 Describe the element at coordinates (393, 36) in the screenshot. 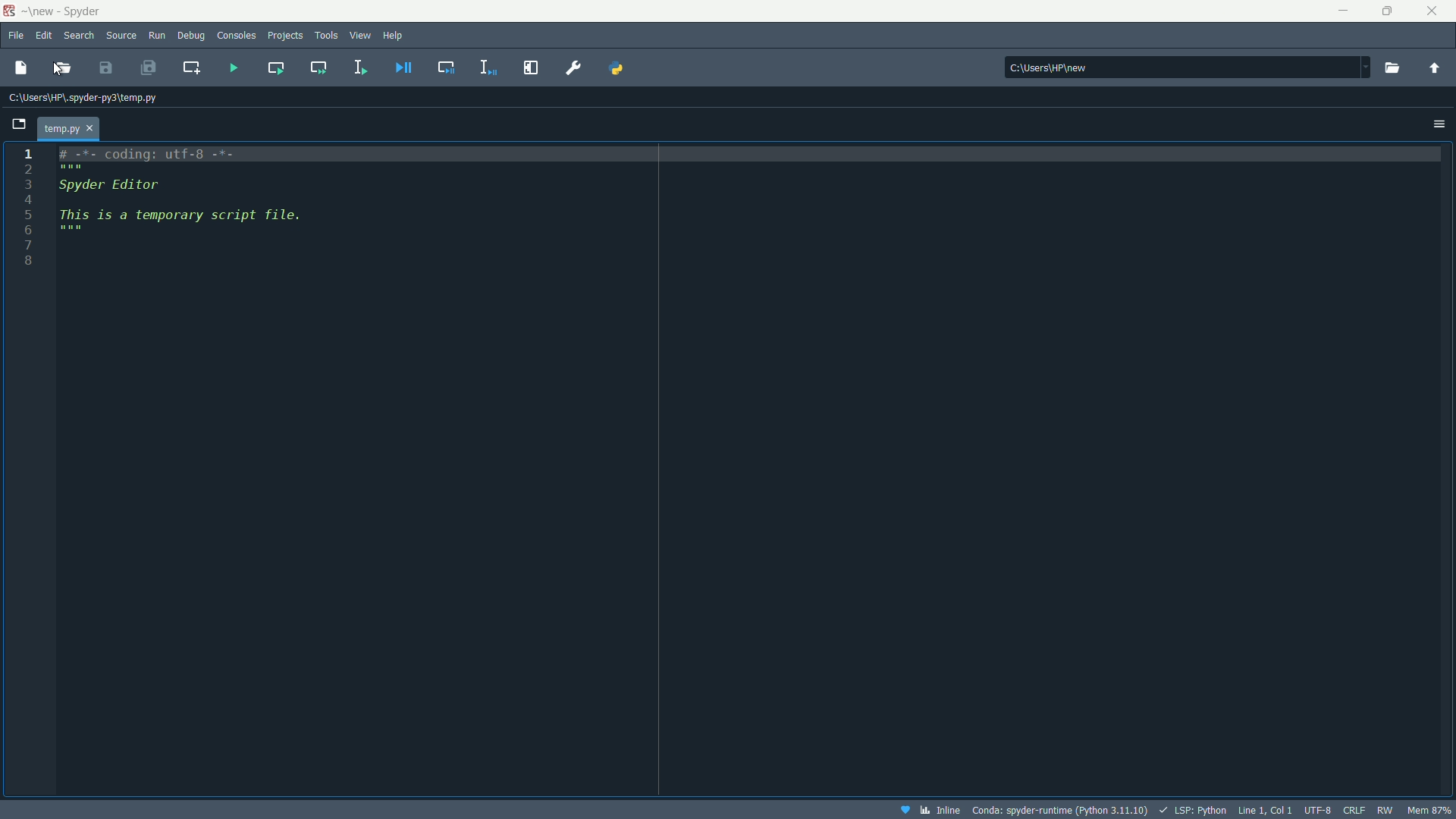

I see `help menu` at that location.